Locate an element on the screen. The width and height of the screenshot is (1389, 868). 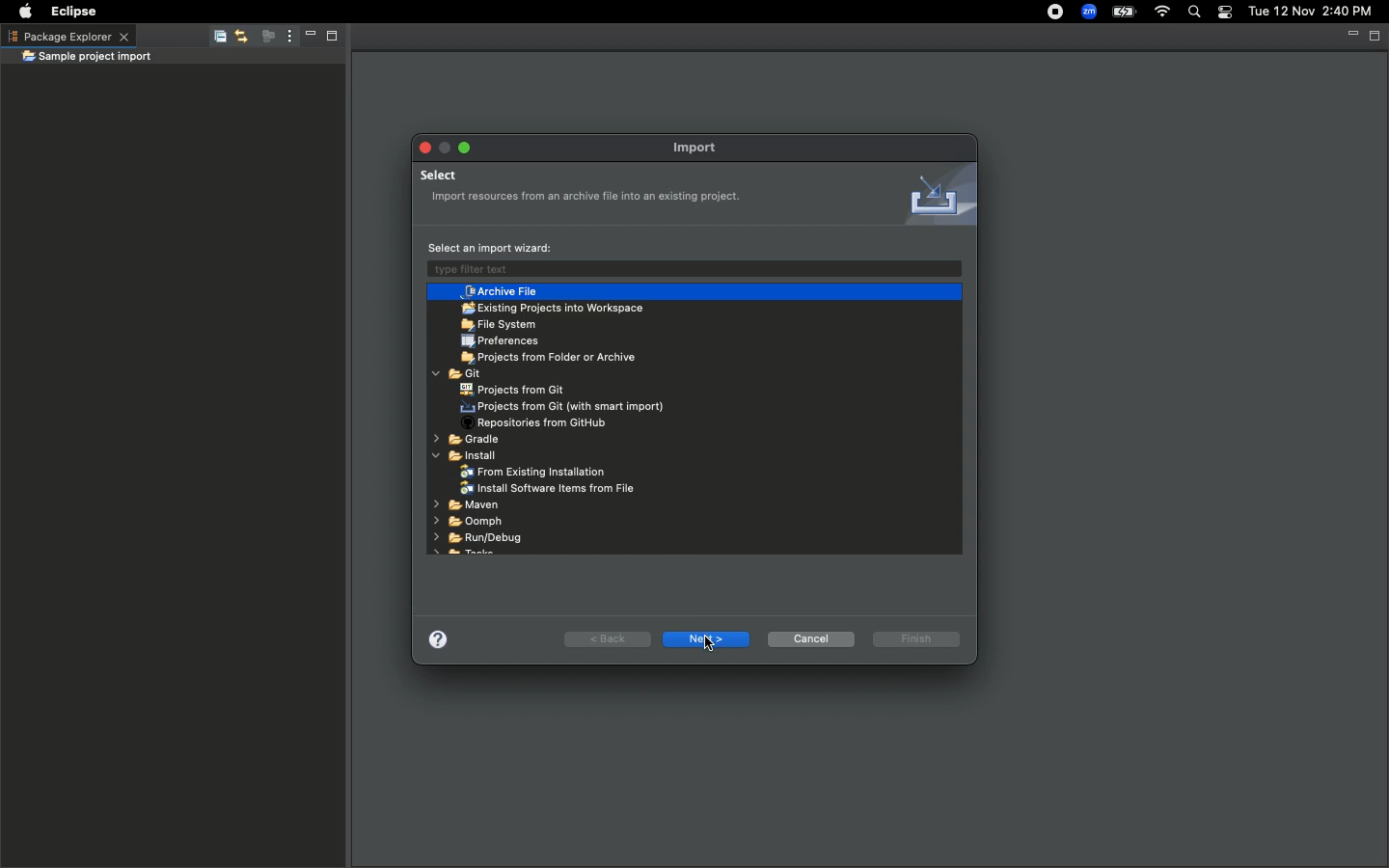
Next is located at coordinates (702, 637).